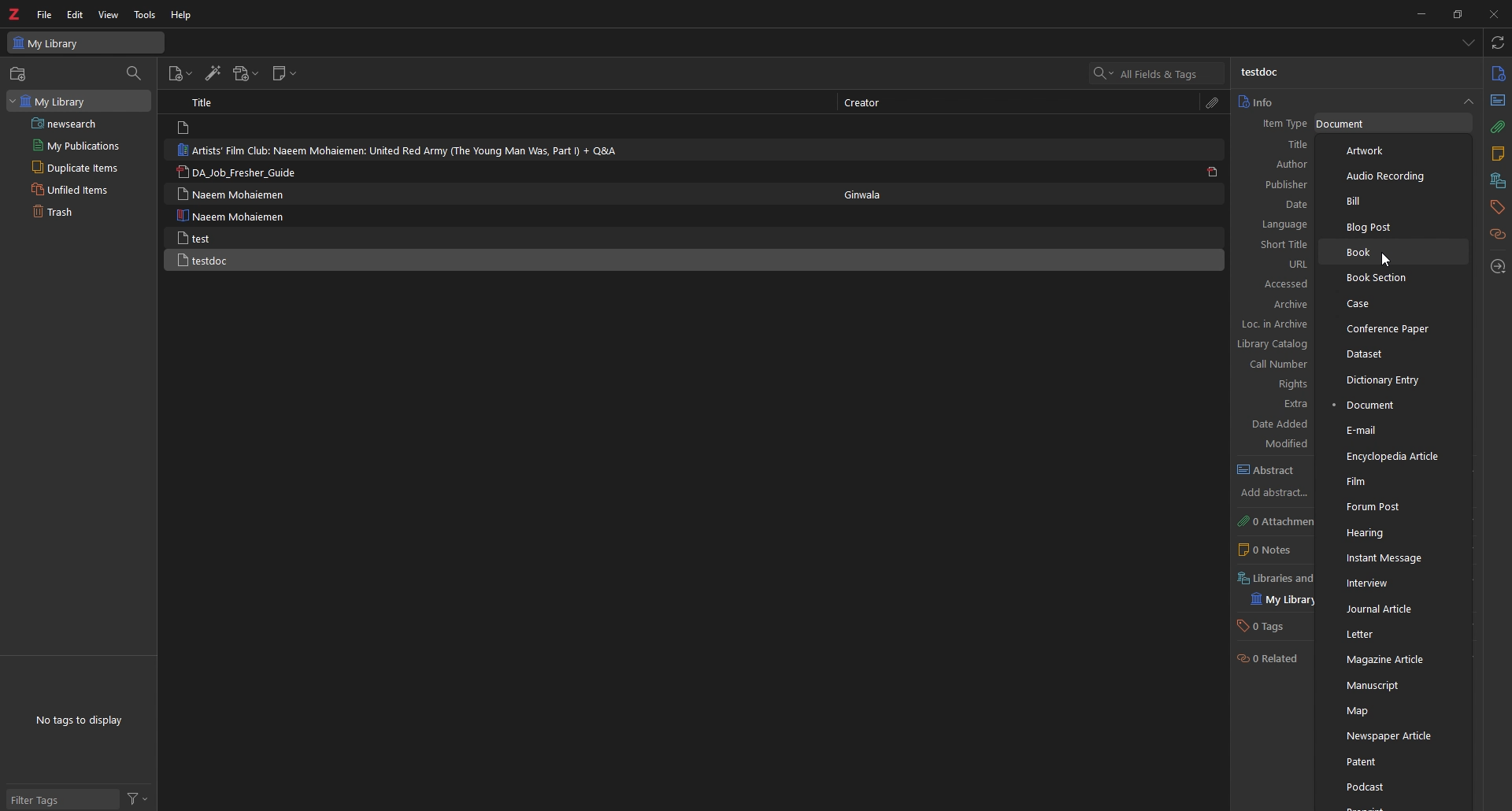 Image resolution: width=1512 pixels, height=811 pixels. Describe the element at coordinates (203, 102) in the screenshot. I see `Title` at that location.